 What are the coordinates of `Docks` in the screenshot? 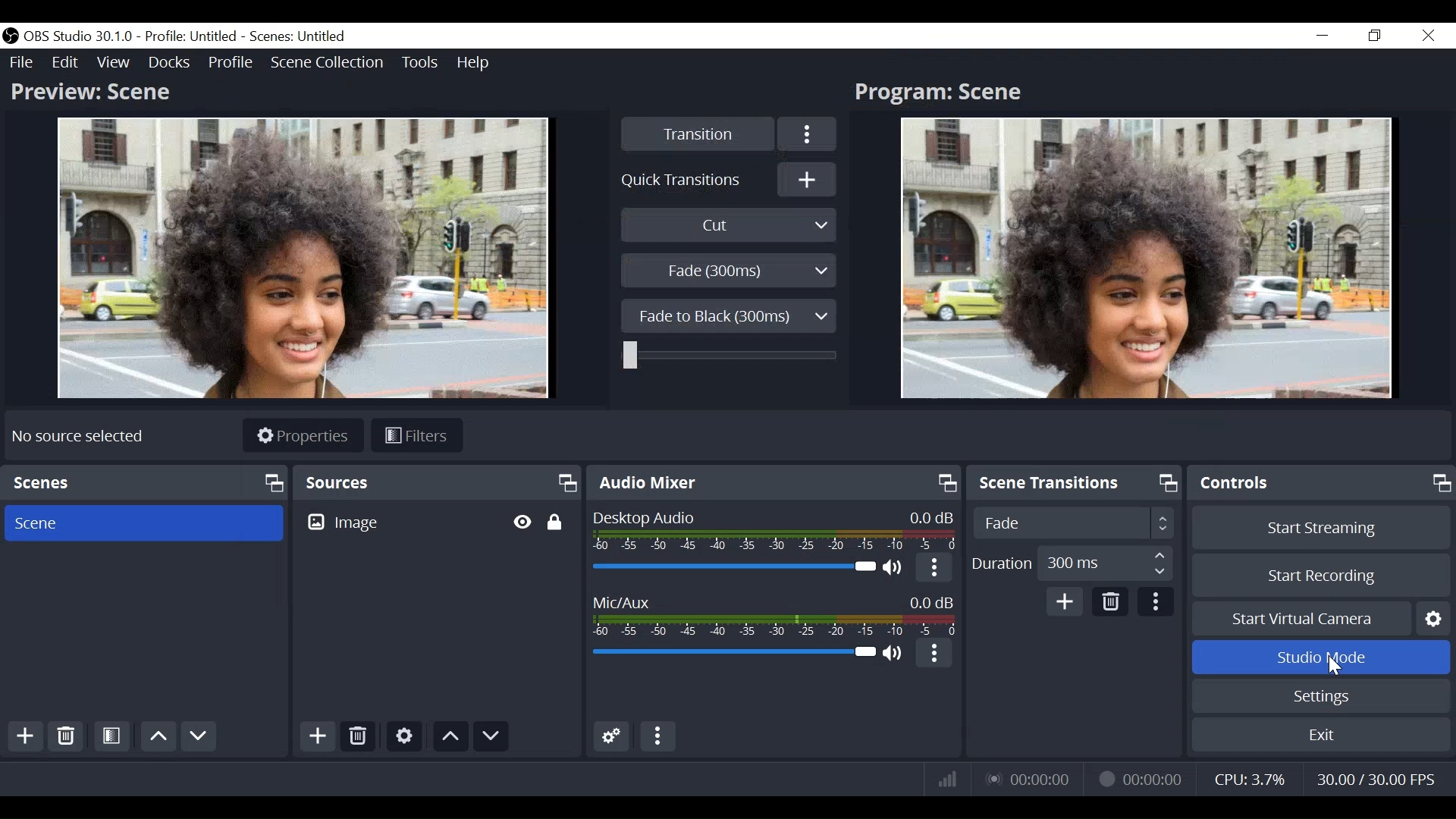 It's located at (170, 64).